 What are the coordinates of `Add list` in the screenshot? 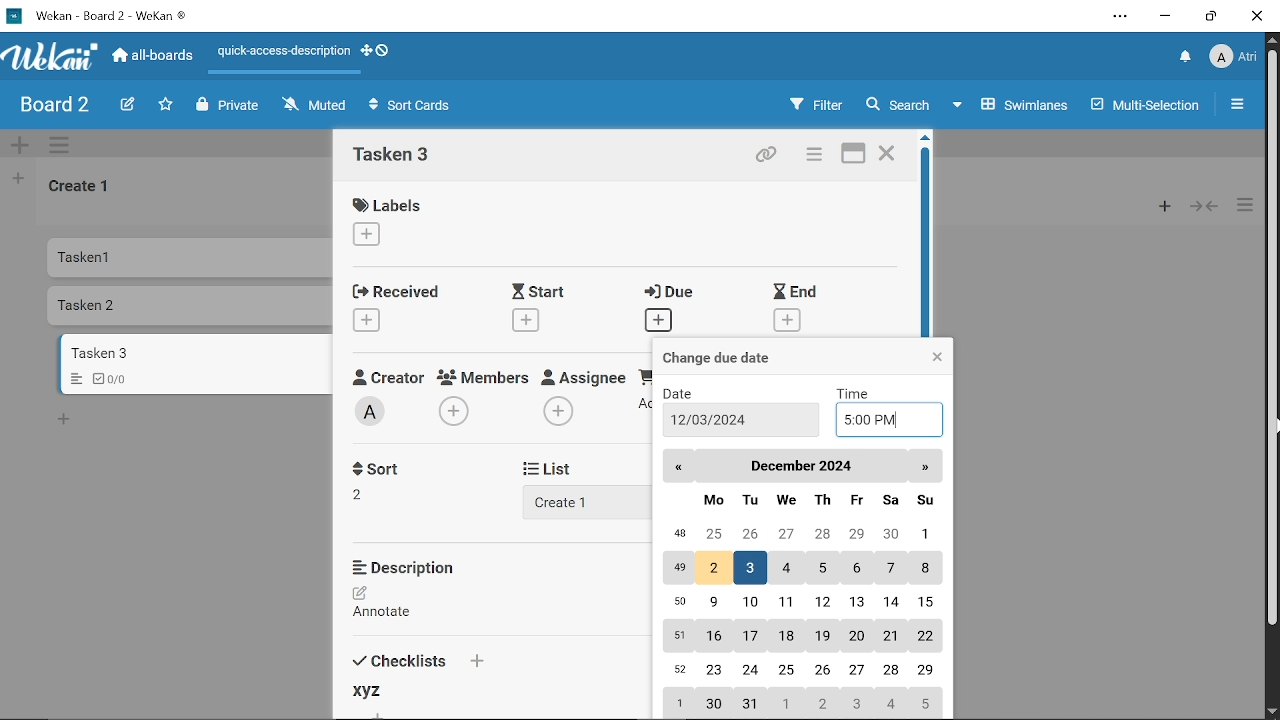 It's located at (18, 181).